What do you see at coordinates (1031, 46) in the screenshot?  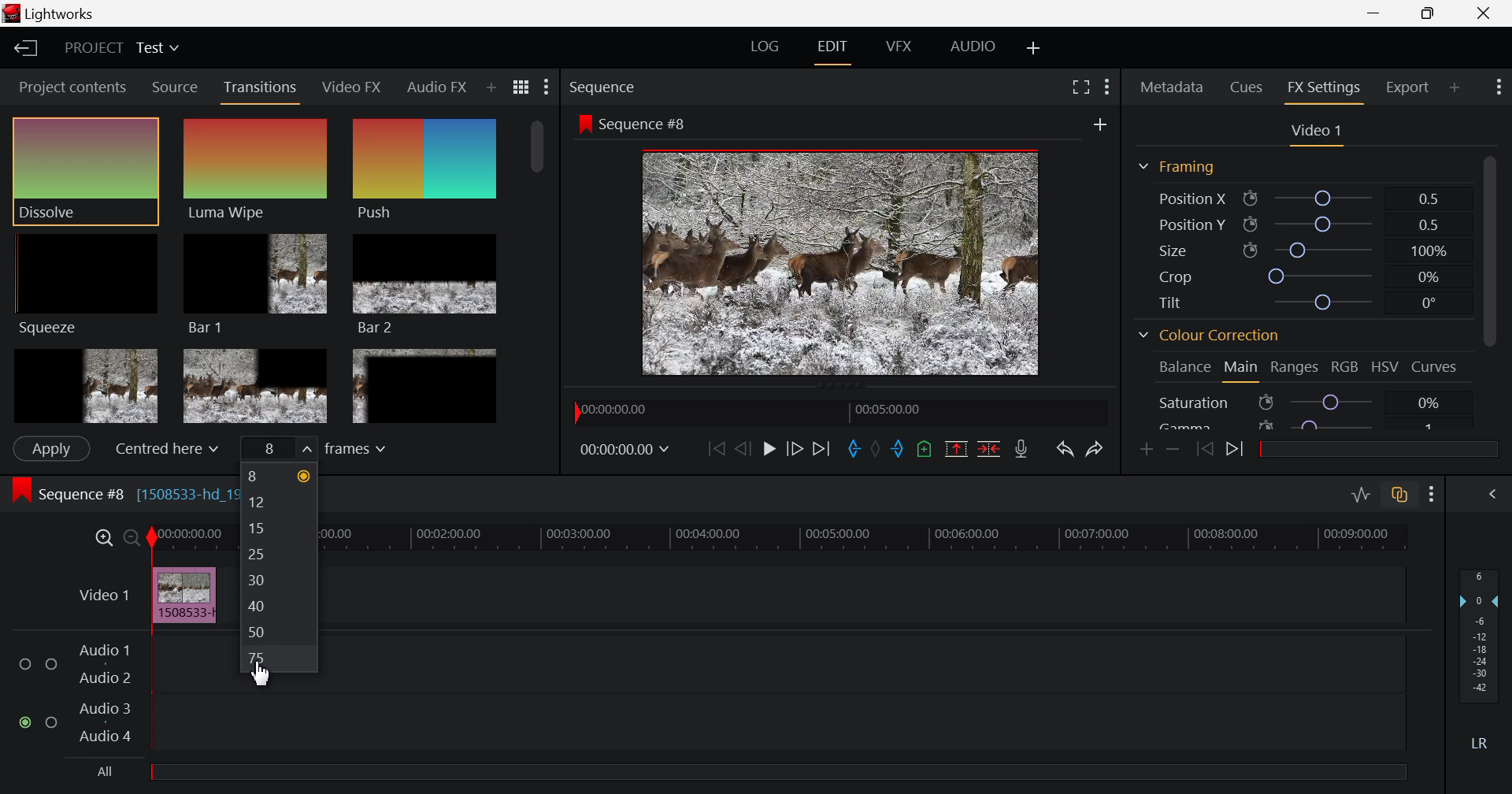 I see `Add Layout` at bounding box center [1031, 46].